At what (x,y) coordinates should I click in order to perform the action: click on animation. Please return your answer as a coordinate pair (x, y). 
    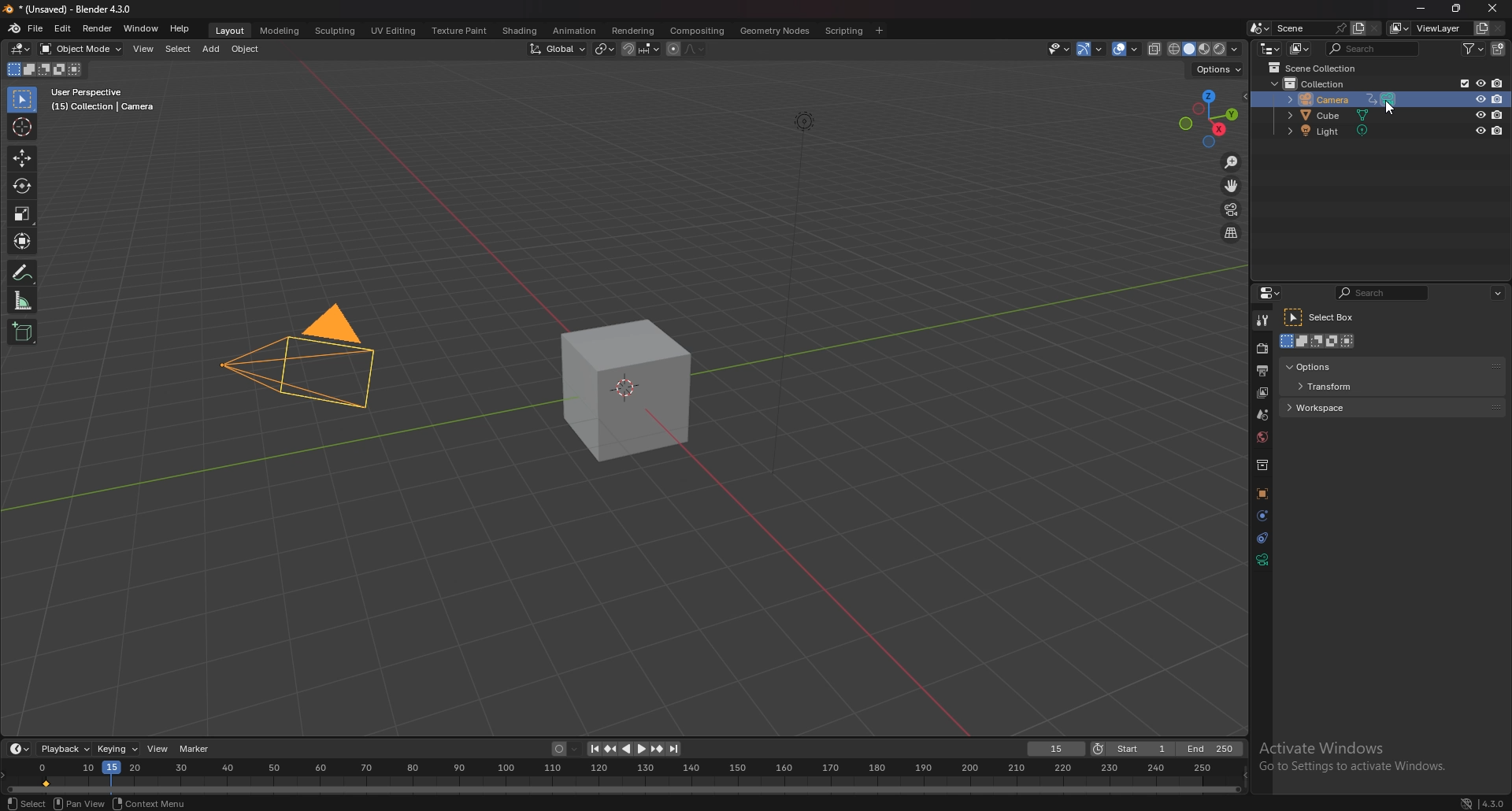
    Looking at the image, I should click on (573, 30).